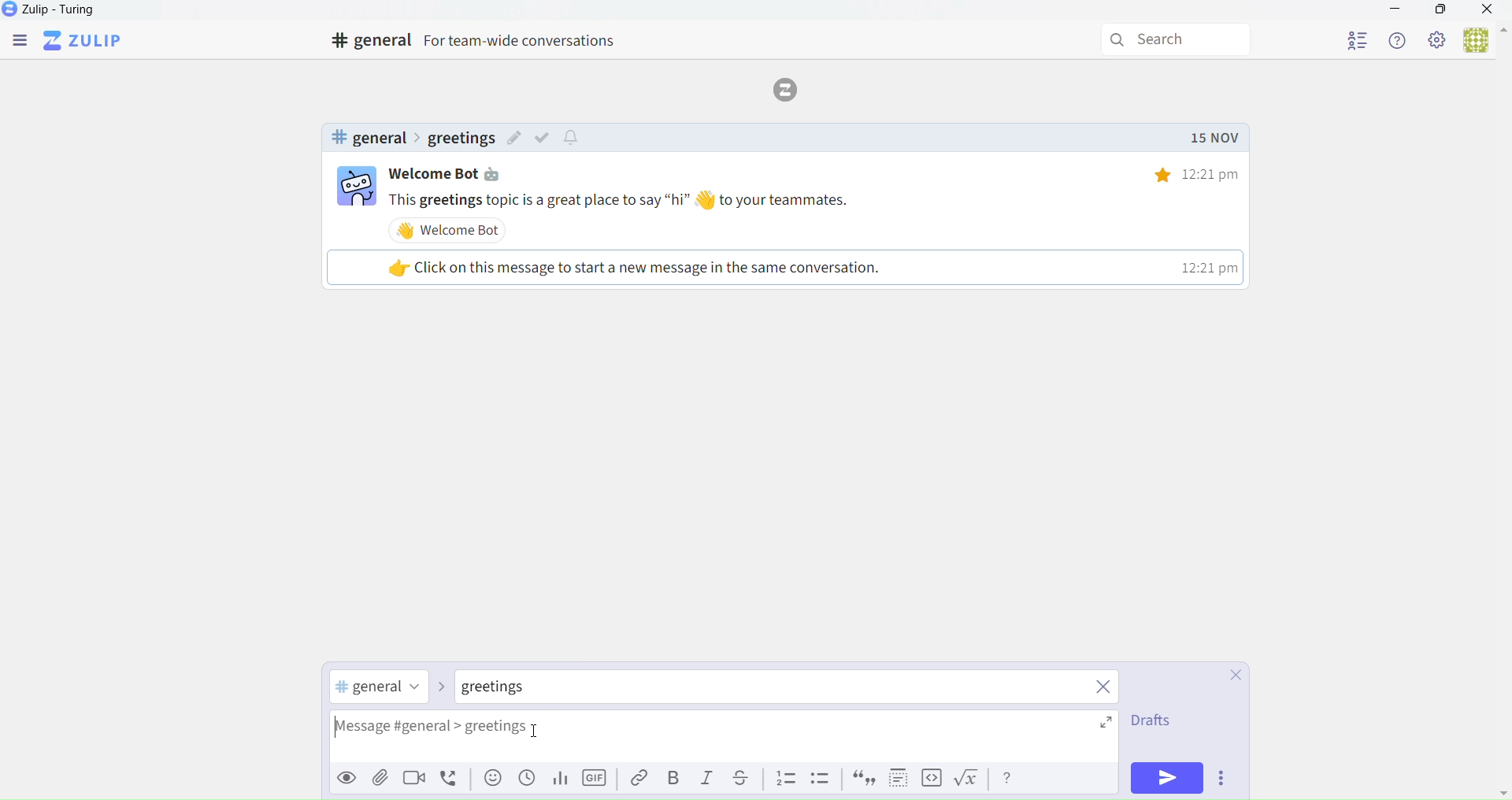  What do you see at coordinates (1395, 11) in the screenshot?
I see `Minimize` at bounding box center [1395, 11].